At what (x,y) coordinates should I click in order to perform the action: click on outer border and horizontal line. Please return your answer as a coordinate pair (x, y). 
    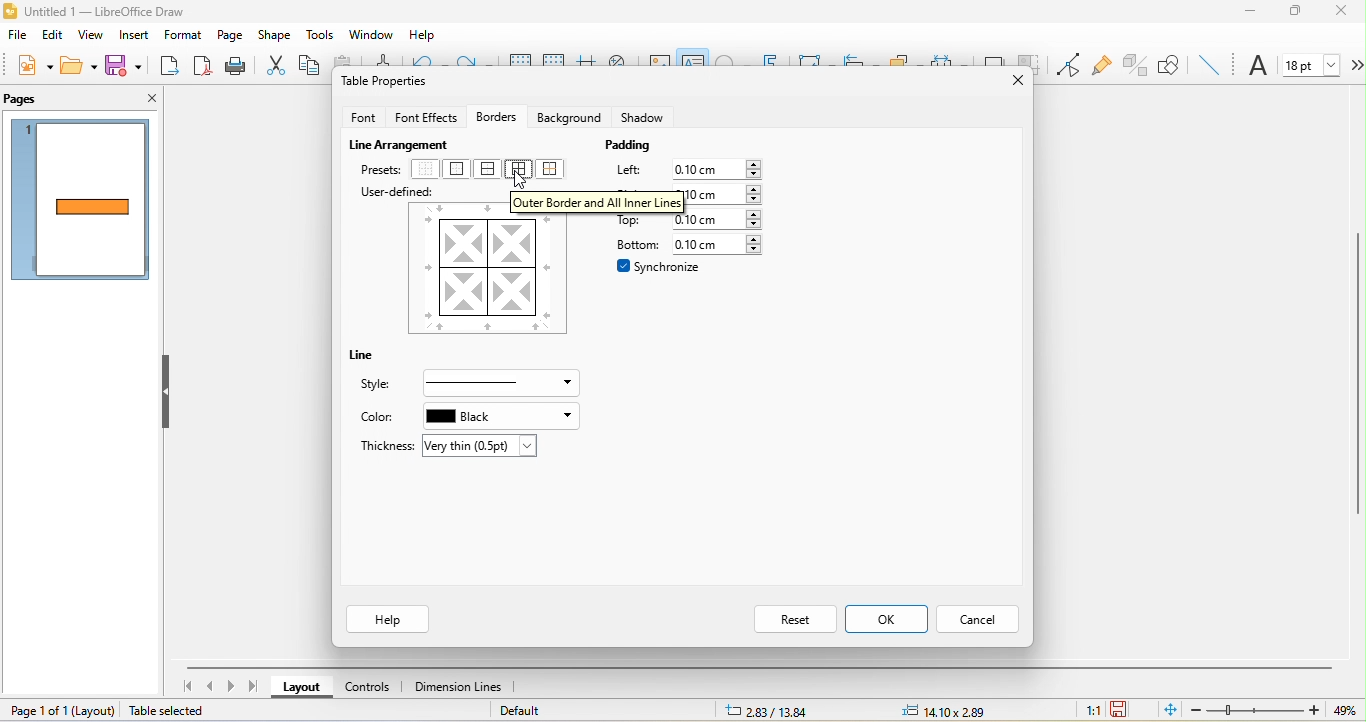
    Looking at the image, I should click on (490, 170).